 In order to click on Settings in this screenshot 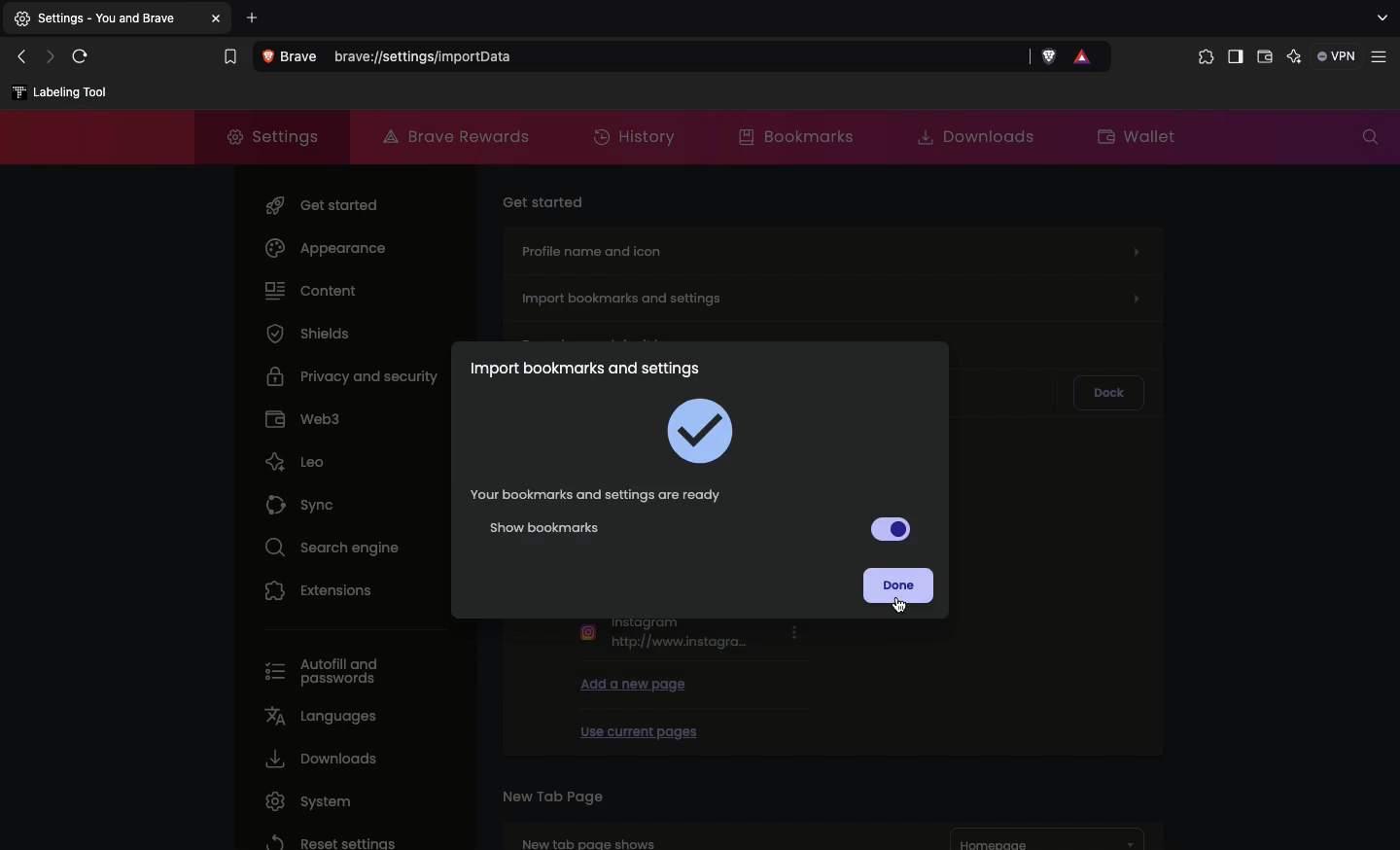, I will do `click(104, 19)`.